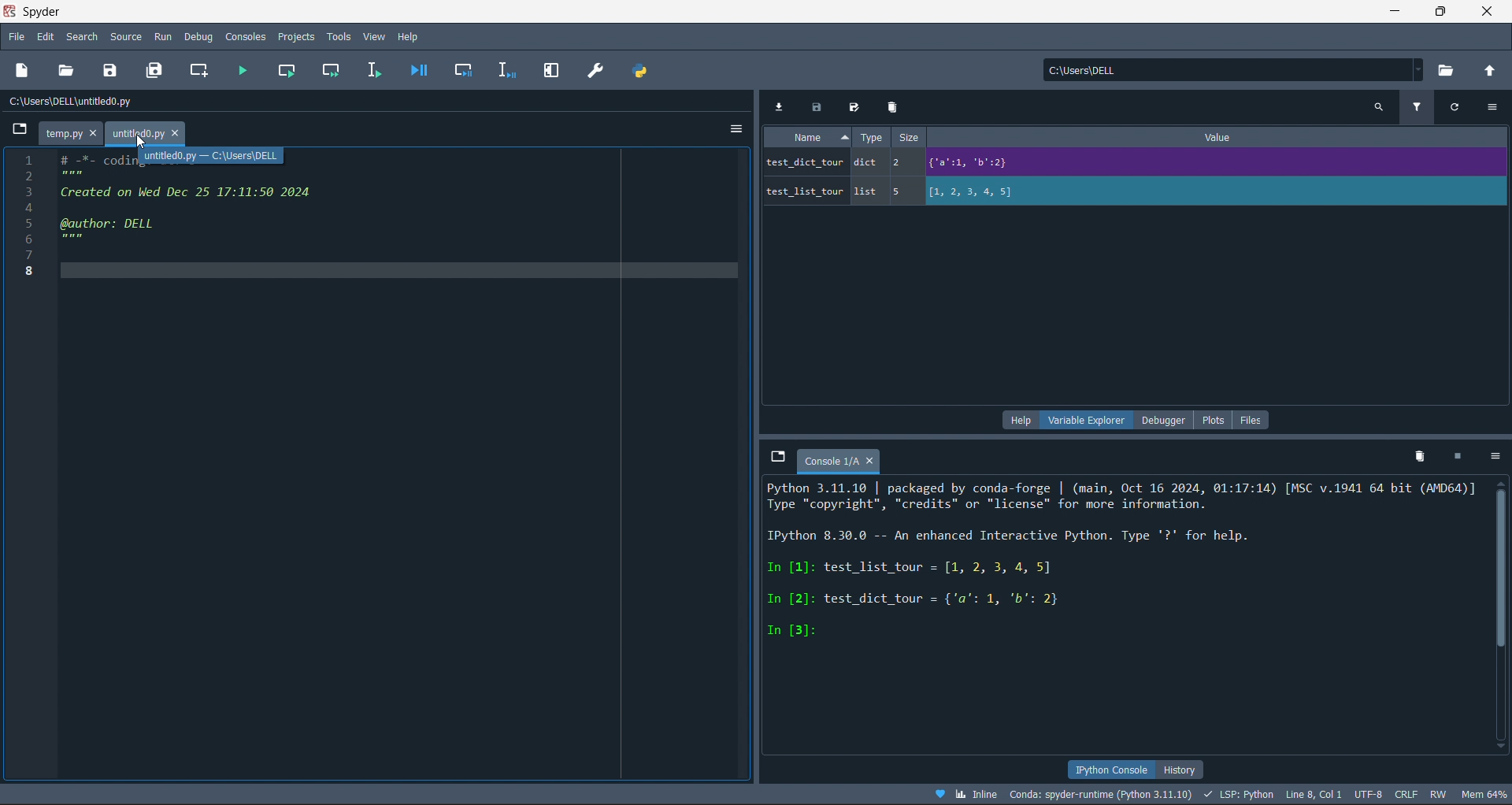 The image size is (1512, 805). Describe the element at coordinates (1503, 609) in the screenshot. I see `scroll bar` at that location.